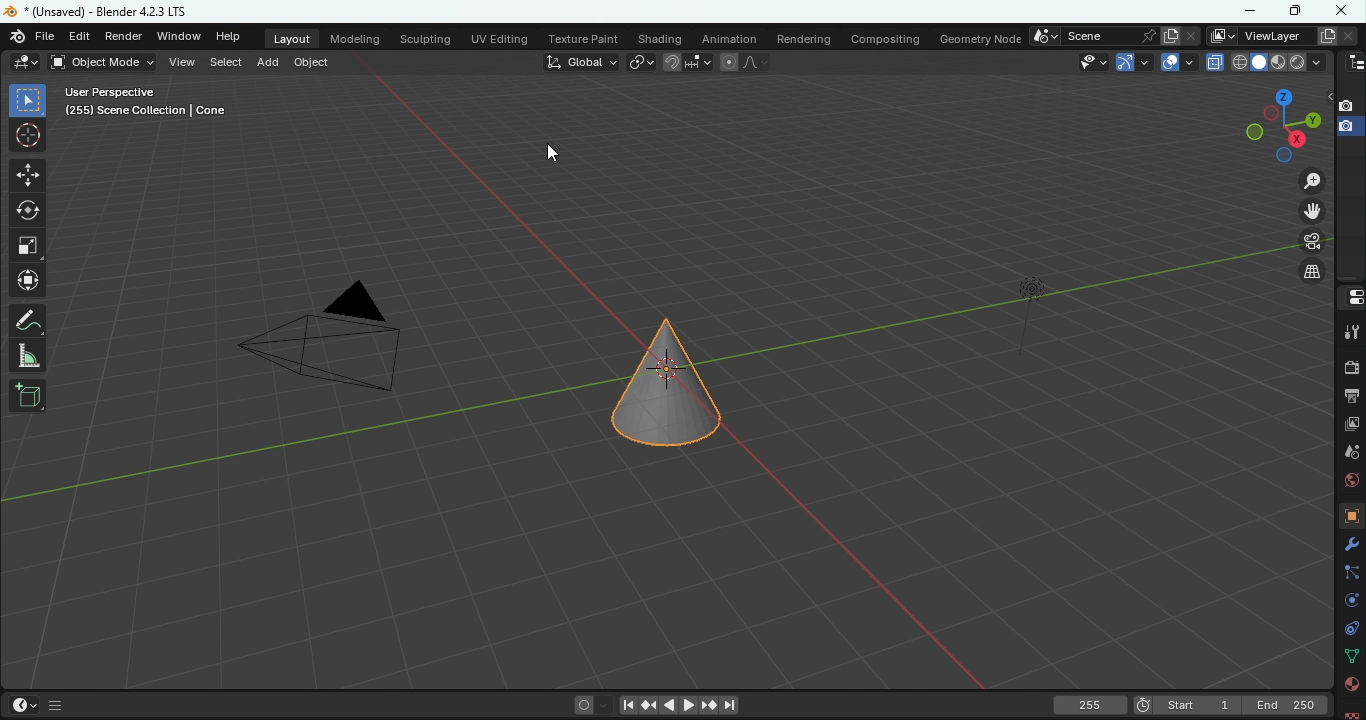 Image resolution: width=1366 pixels, height=720 pixels. I want to click on Viewport shading: Solid, so click(1257, 62).